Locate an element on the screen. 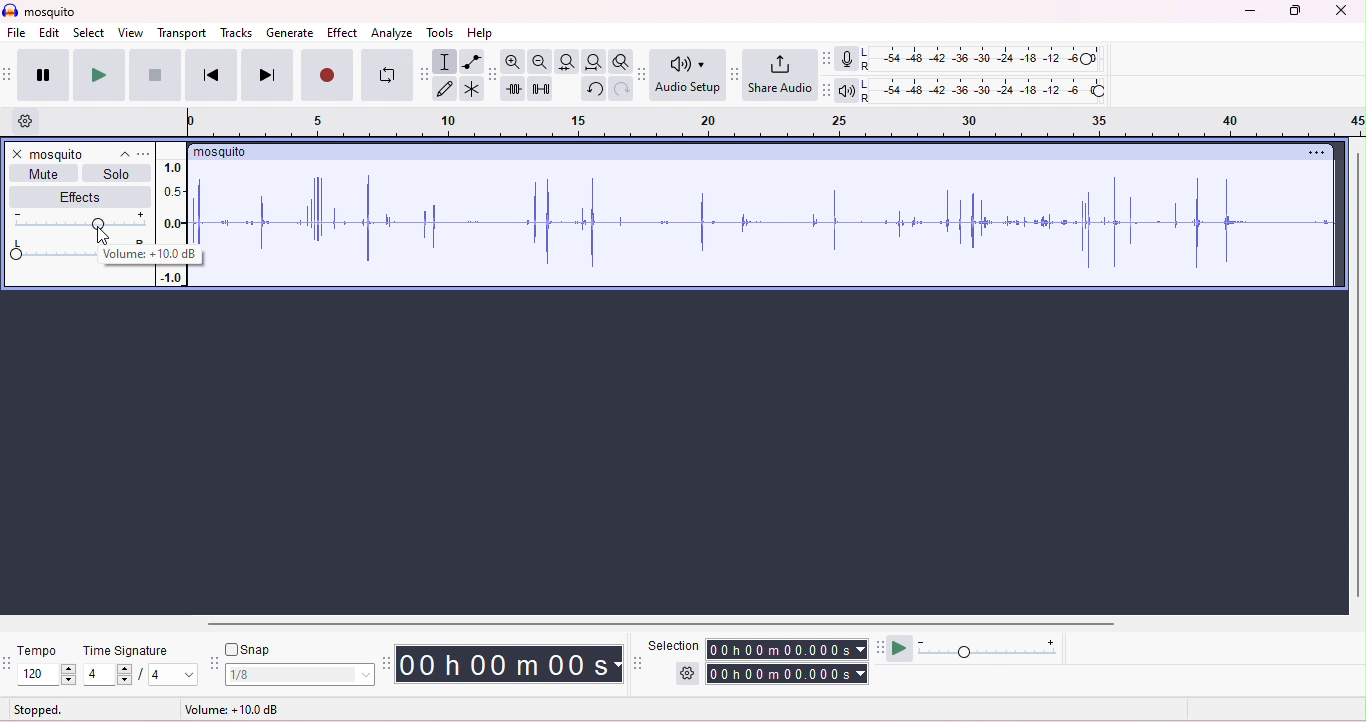 Image resolution: width=1366 pixels, height=722 pixels. track title is located at coordinates (81, 156).